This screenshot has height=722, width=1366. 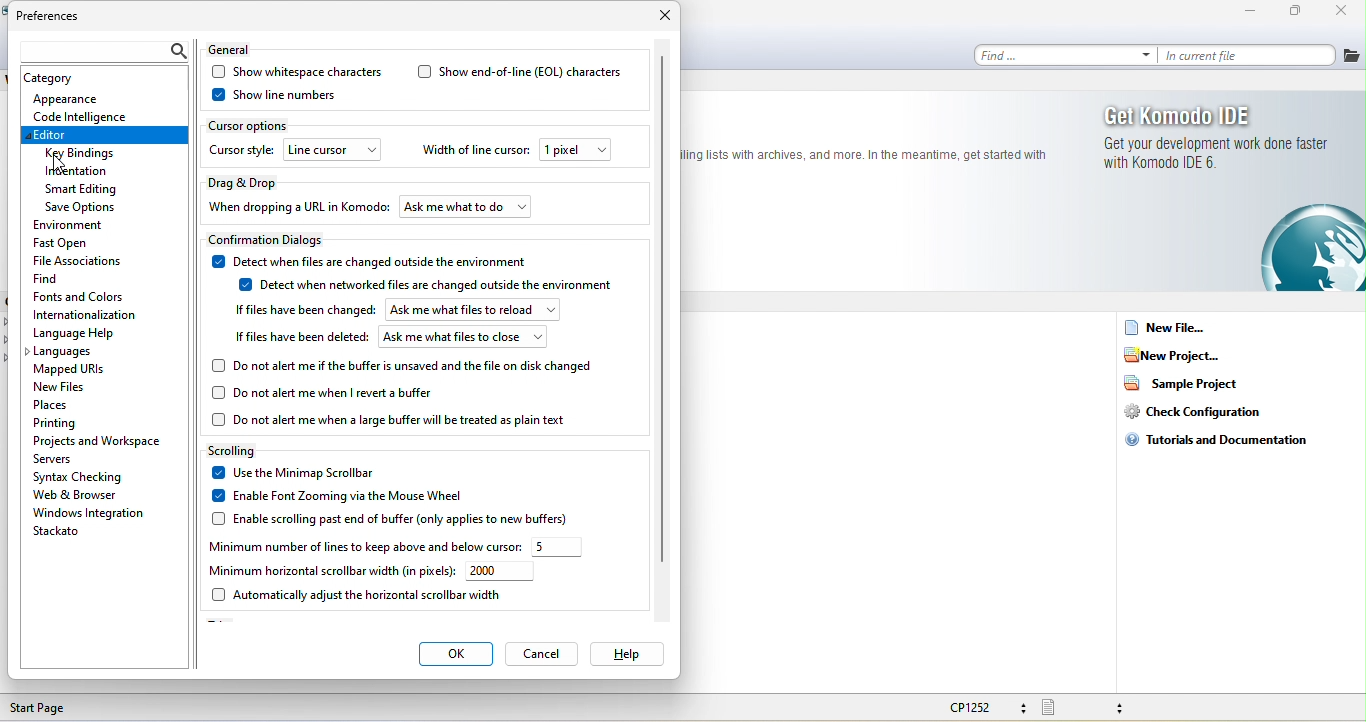 What do you see at coordinates (464, 338) in the screenshot?
I see `ask me what files to close` at bounding box center [464, 338].